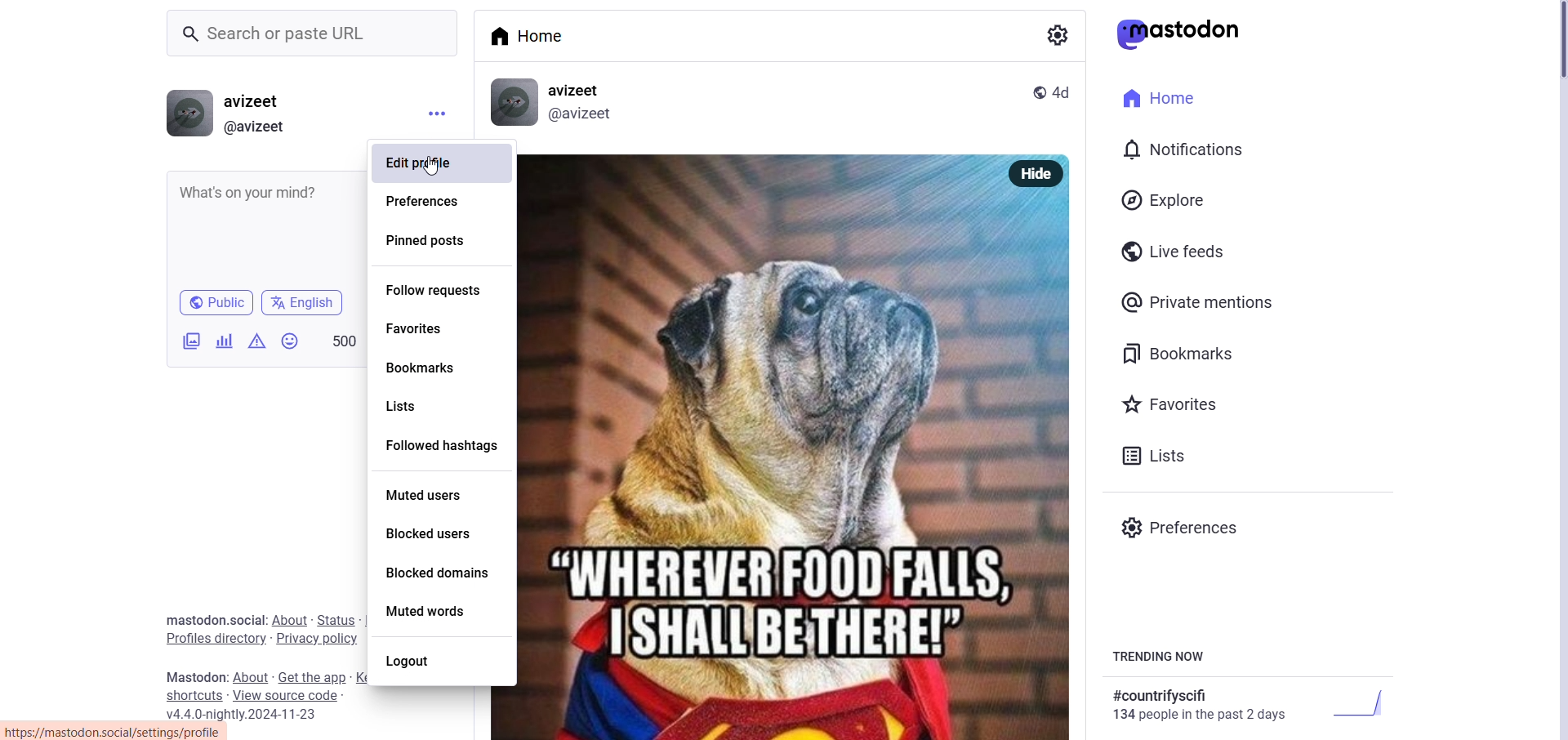 This screenshot has width=1568, height=740. Describe the element at coordinates (1184, 526) in the screenshot. I see `preferences` at that location.